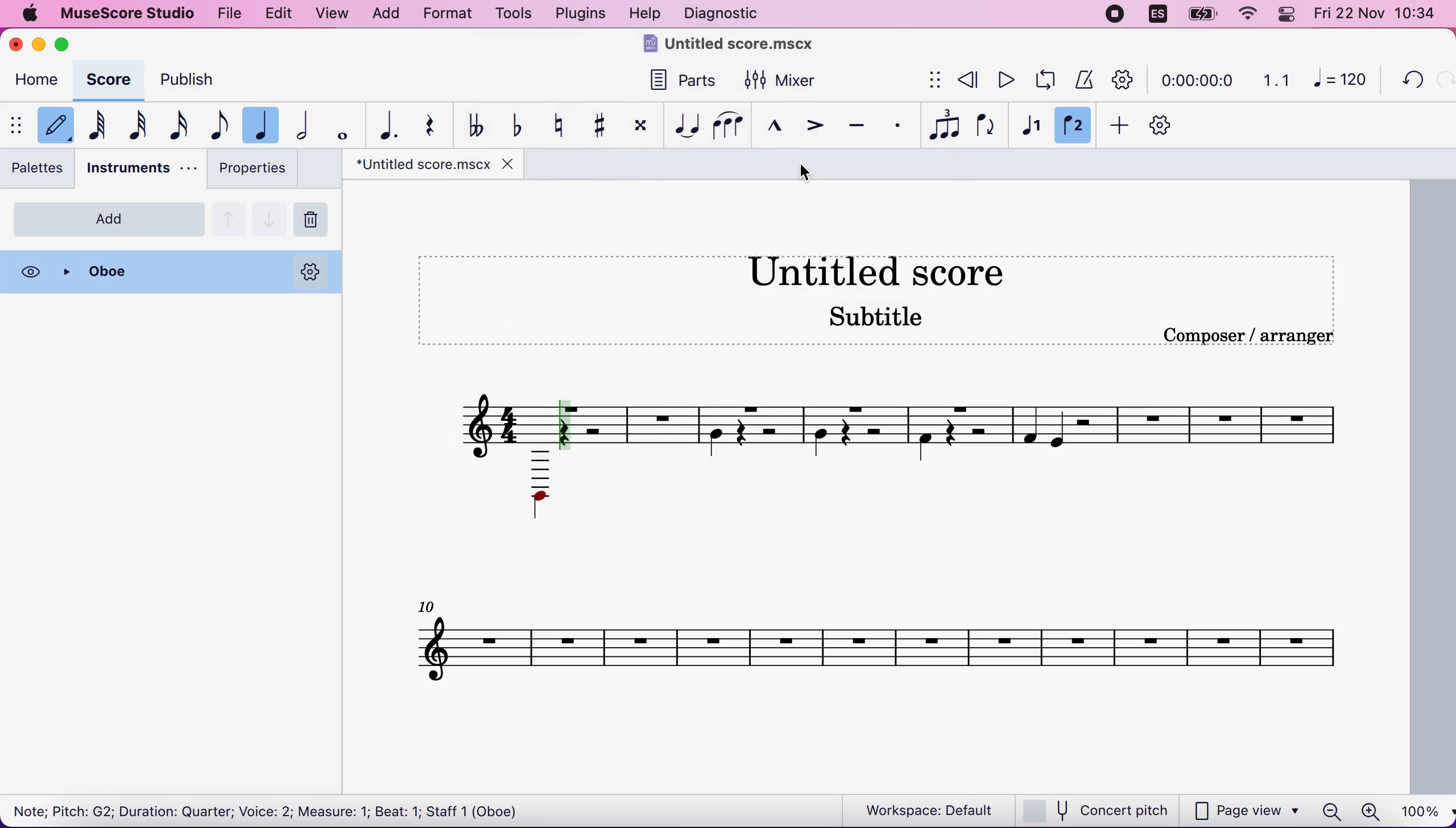 Image resolution: width=1456 pixels, height=828 pixels. I want to click on diagnostic, so click(729, 14).